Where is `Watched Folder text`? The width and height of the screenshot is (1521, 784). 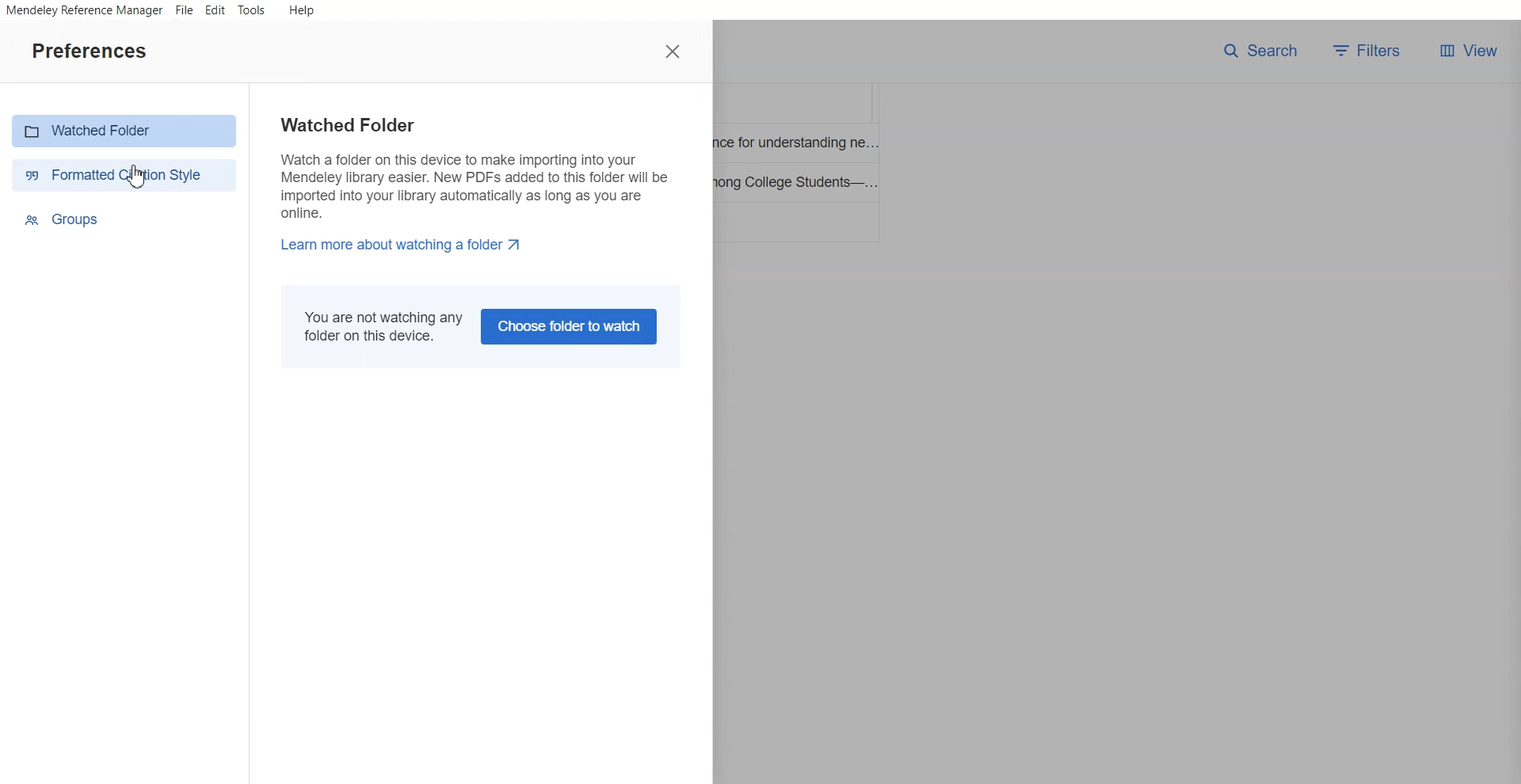
Watched Folder text is located at coordinates (471, 185).